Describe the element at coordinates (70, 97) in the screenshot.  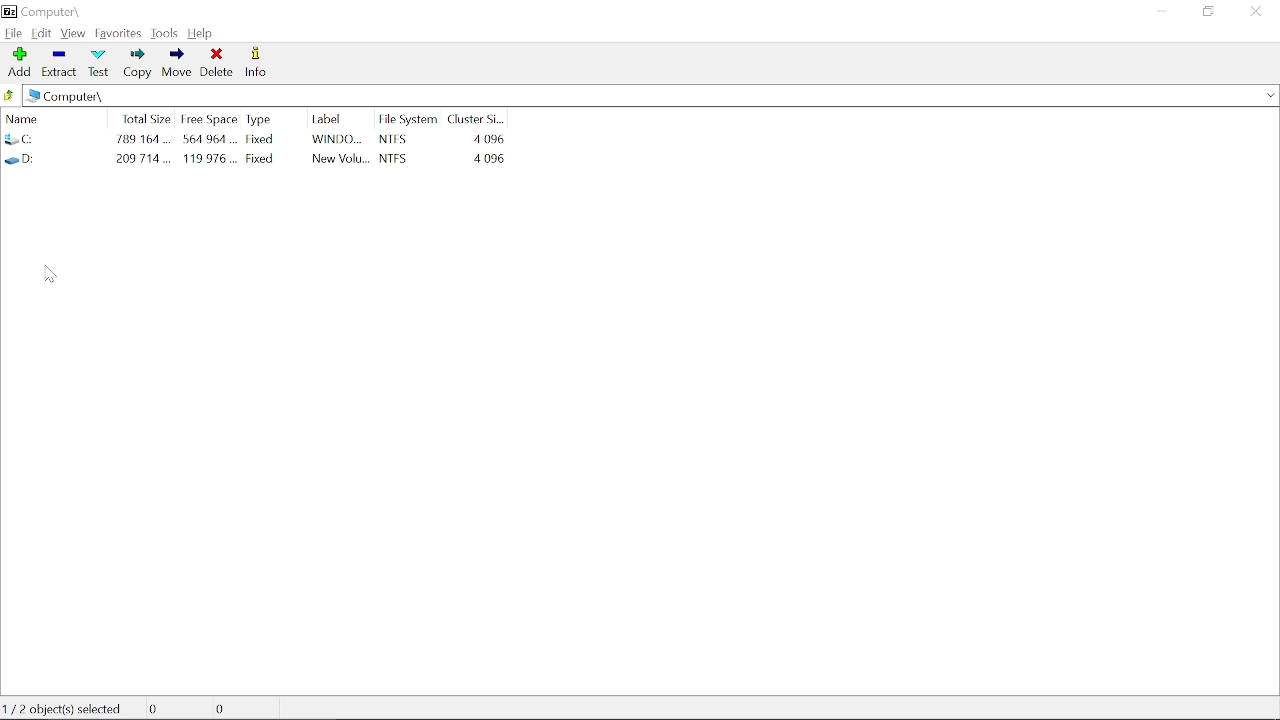
I see `Computer\` at that location.